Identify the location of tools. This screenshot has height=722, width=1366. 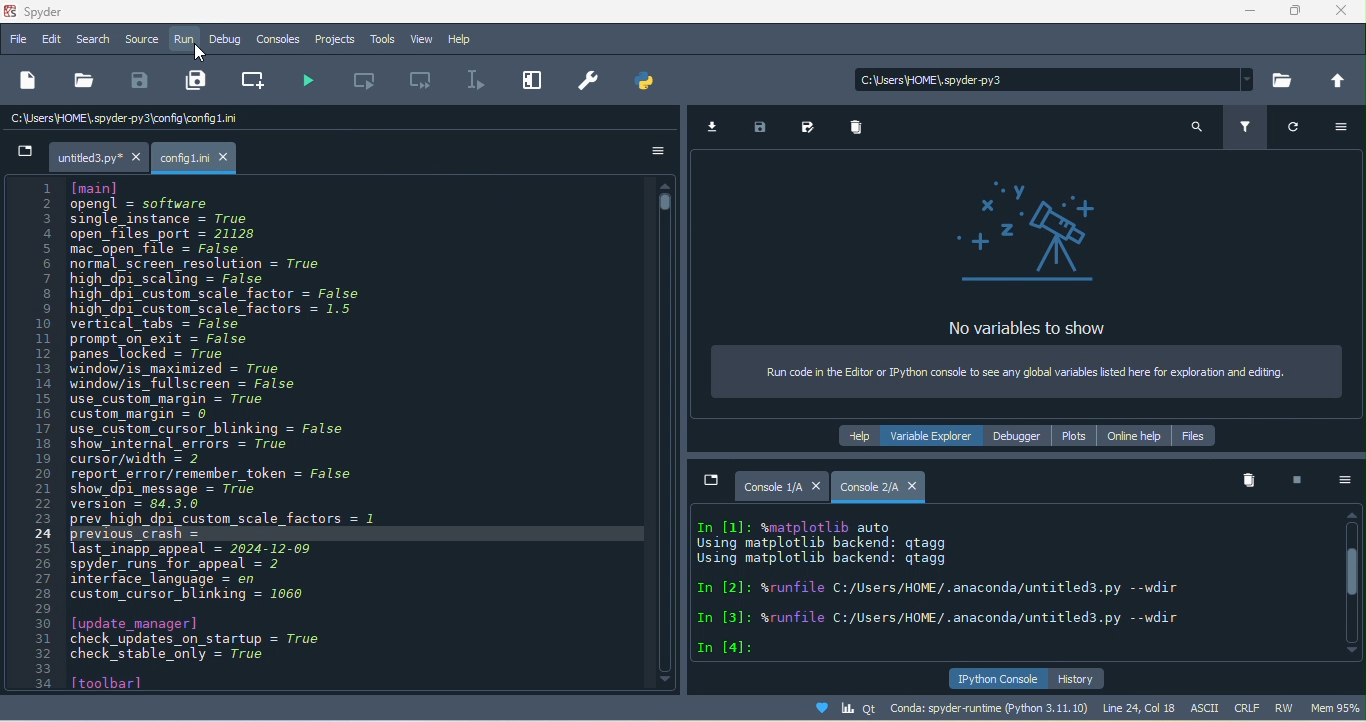
(386, 40).